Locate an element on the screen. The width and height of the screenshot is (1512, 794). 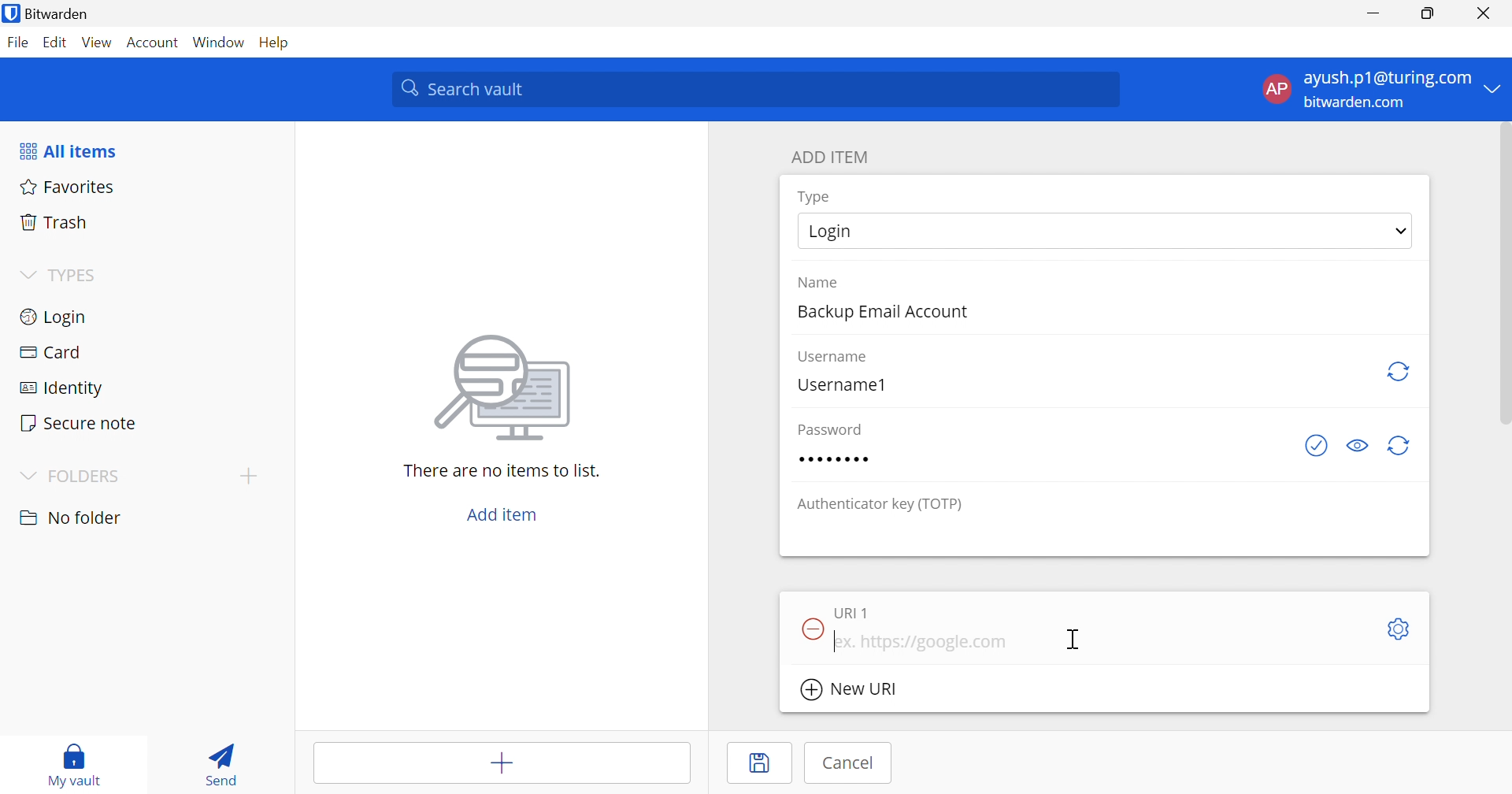
Cursor is located at coordinates (1077, 640).